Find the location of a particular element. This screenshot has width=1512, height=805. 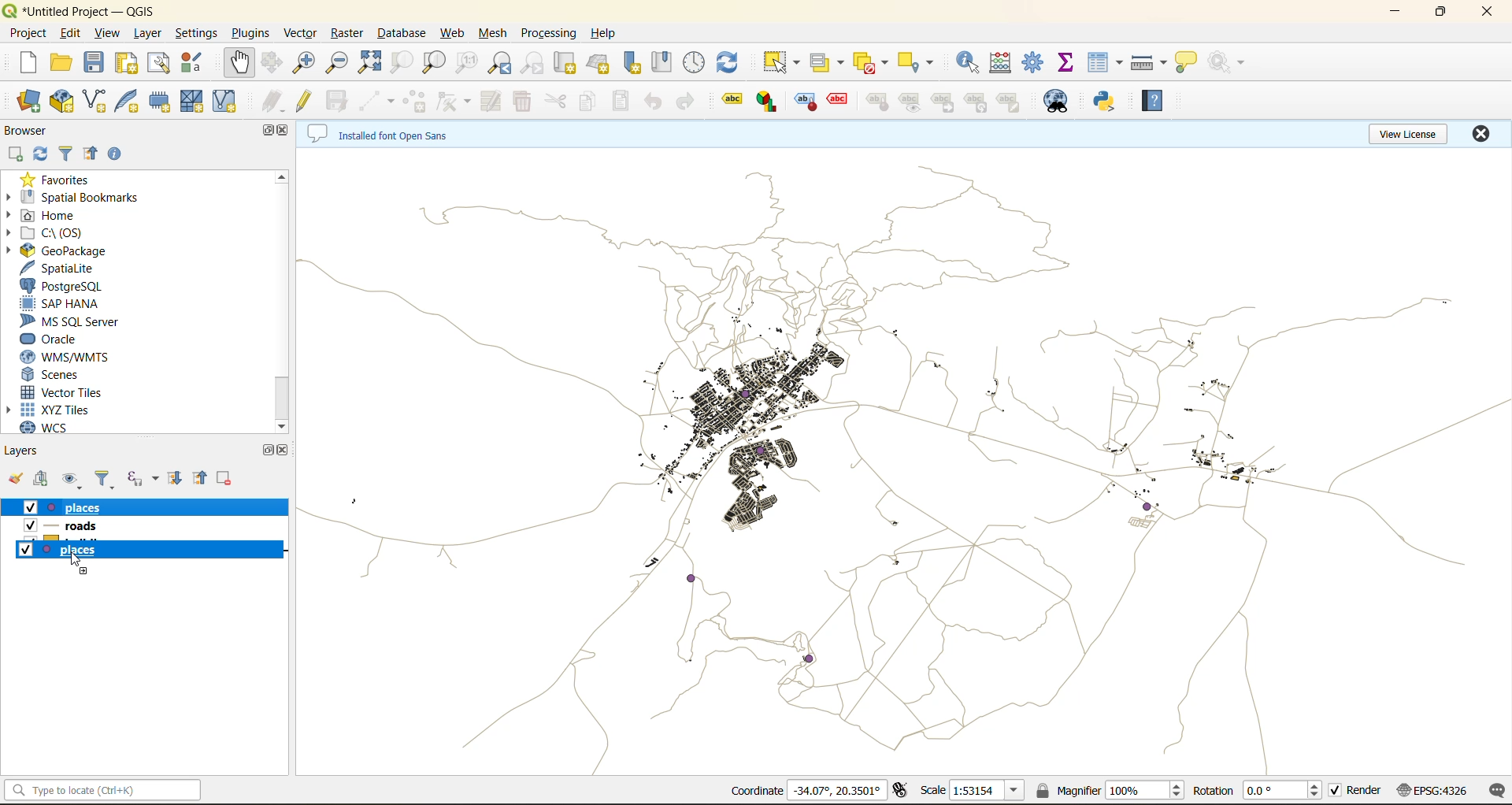

database is located at coordinates (402, 34).